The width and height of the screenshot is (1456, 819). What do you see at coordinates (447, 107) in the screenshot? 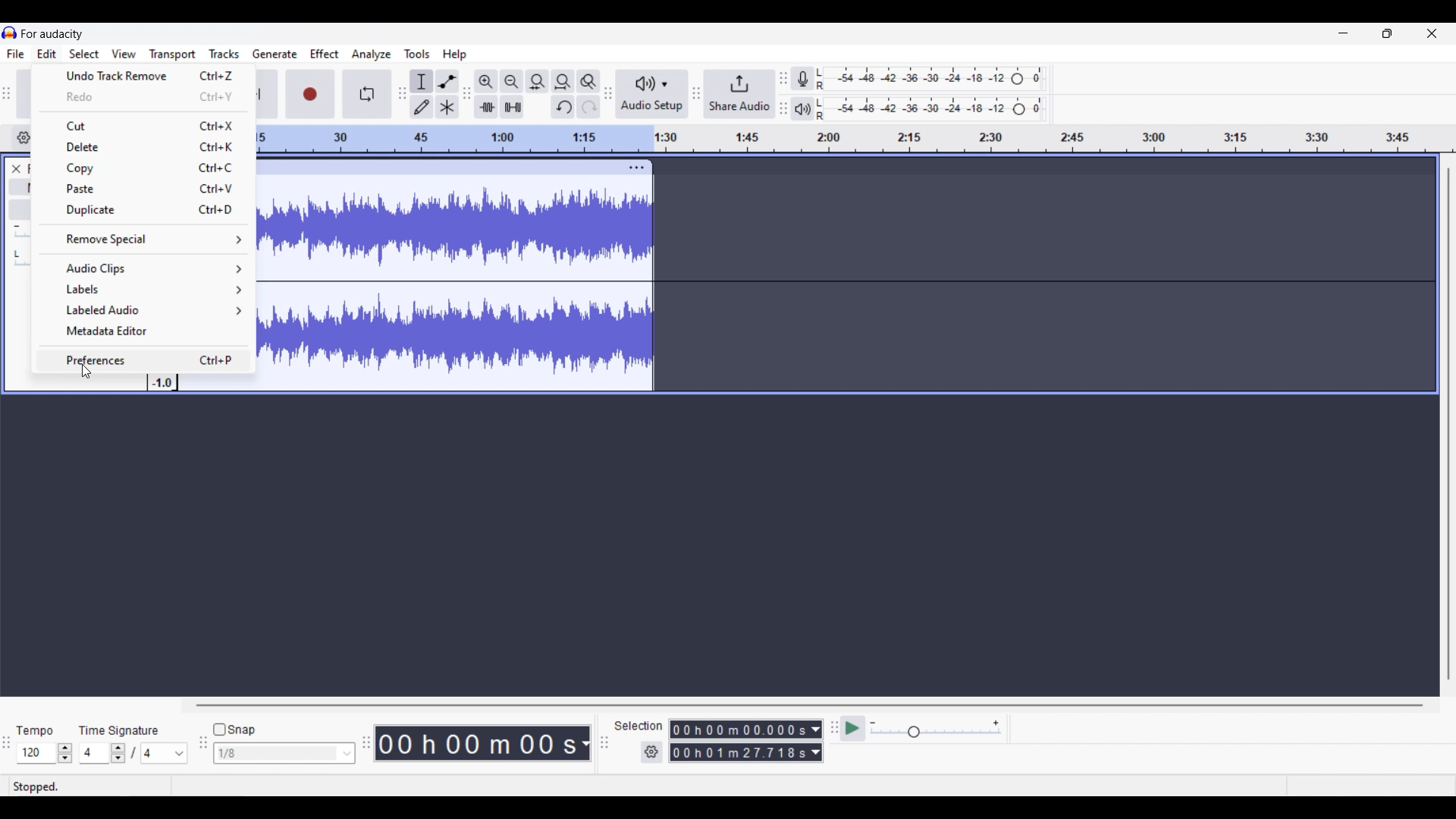
I see `Multi tool` at bounding box center [447, 107].